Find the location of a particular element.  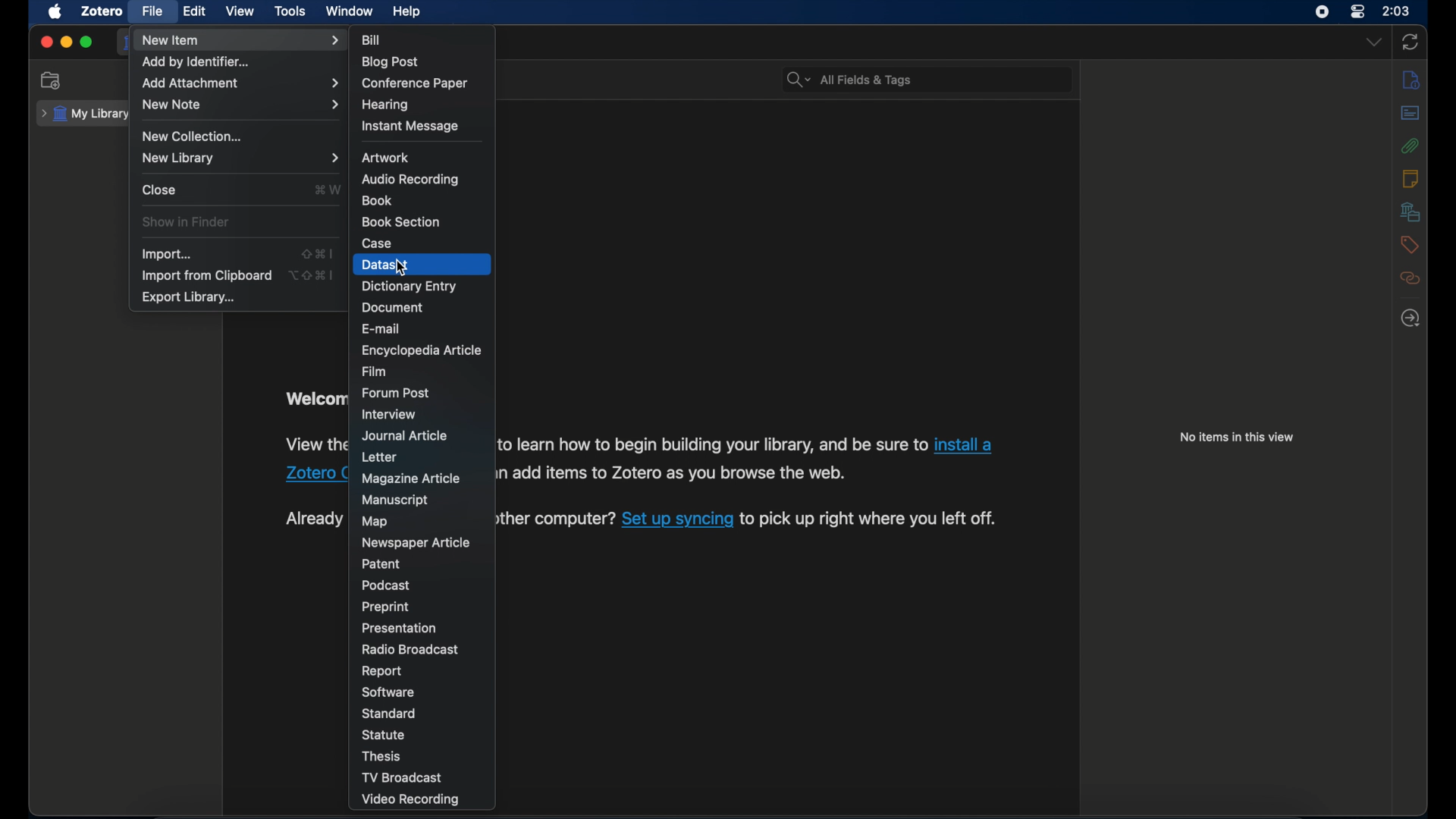

obscure text is located at coordinates (312, 519).